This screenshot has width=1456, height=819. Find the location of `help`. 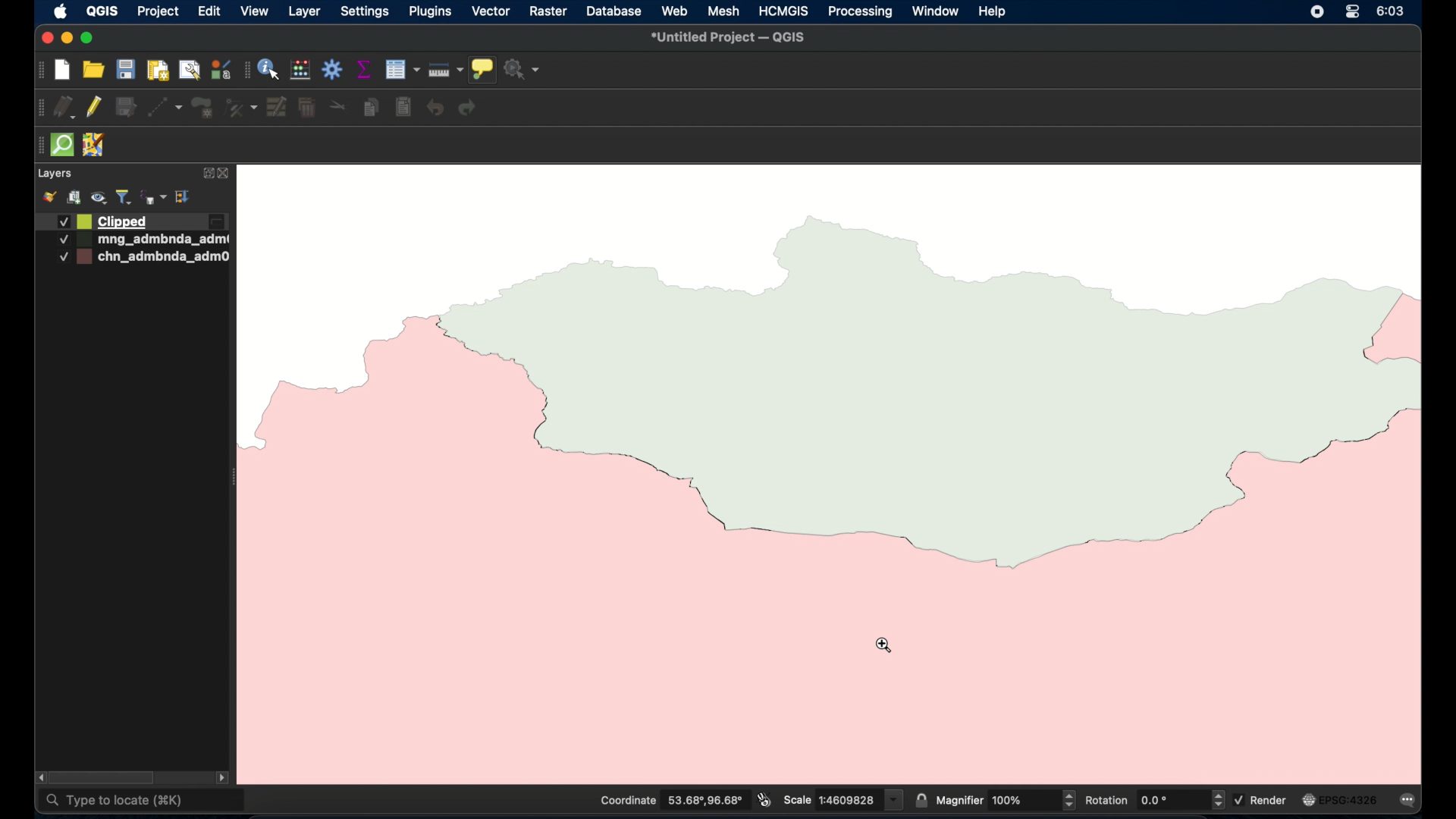

help is located at coordinates (993, 12).